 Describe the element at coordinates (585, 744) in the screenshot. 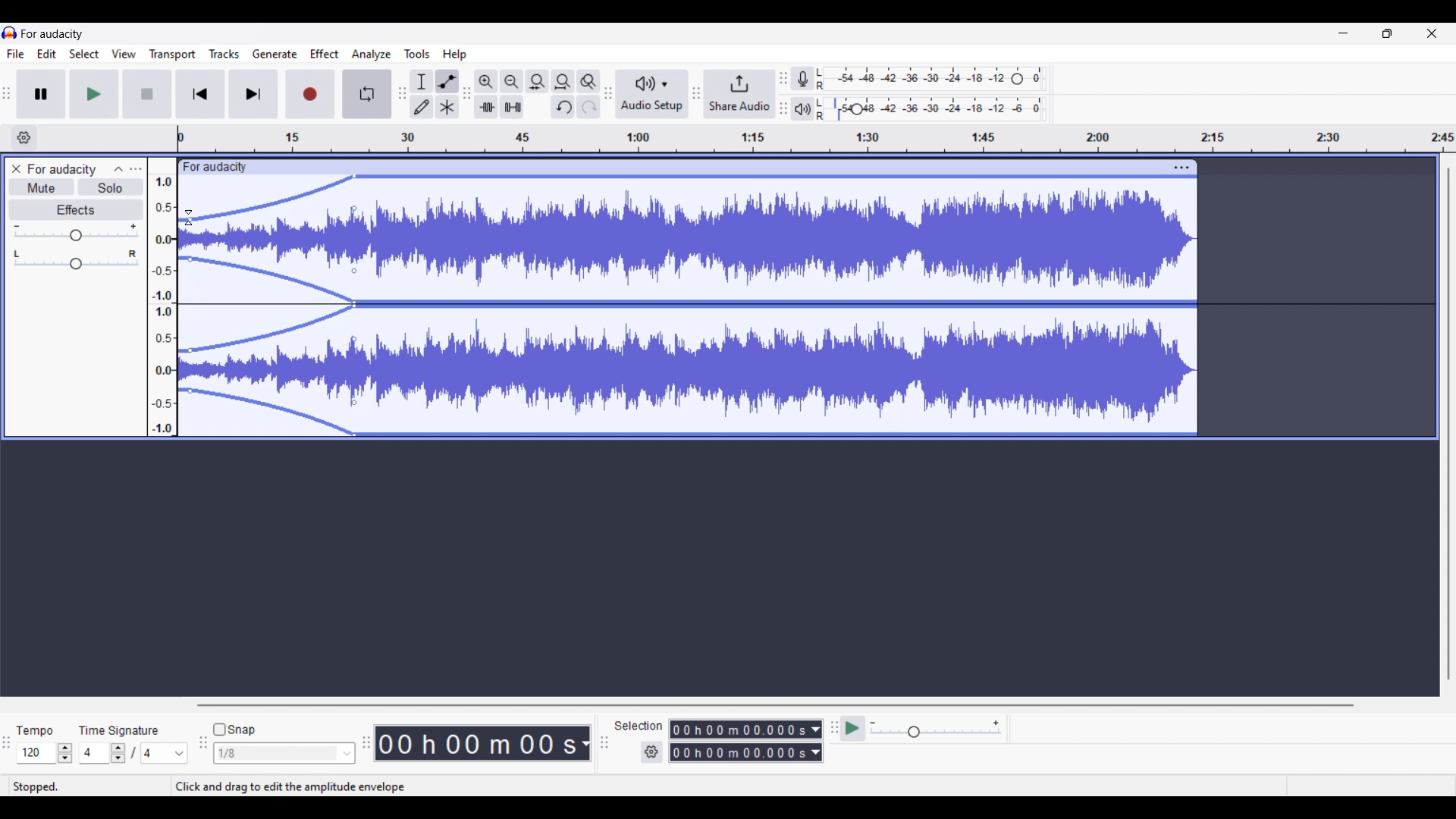

I see `Duration measurement options` at that location.